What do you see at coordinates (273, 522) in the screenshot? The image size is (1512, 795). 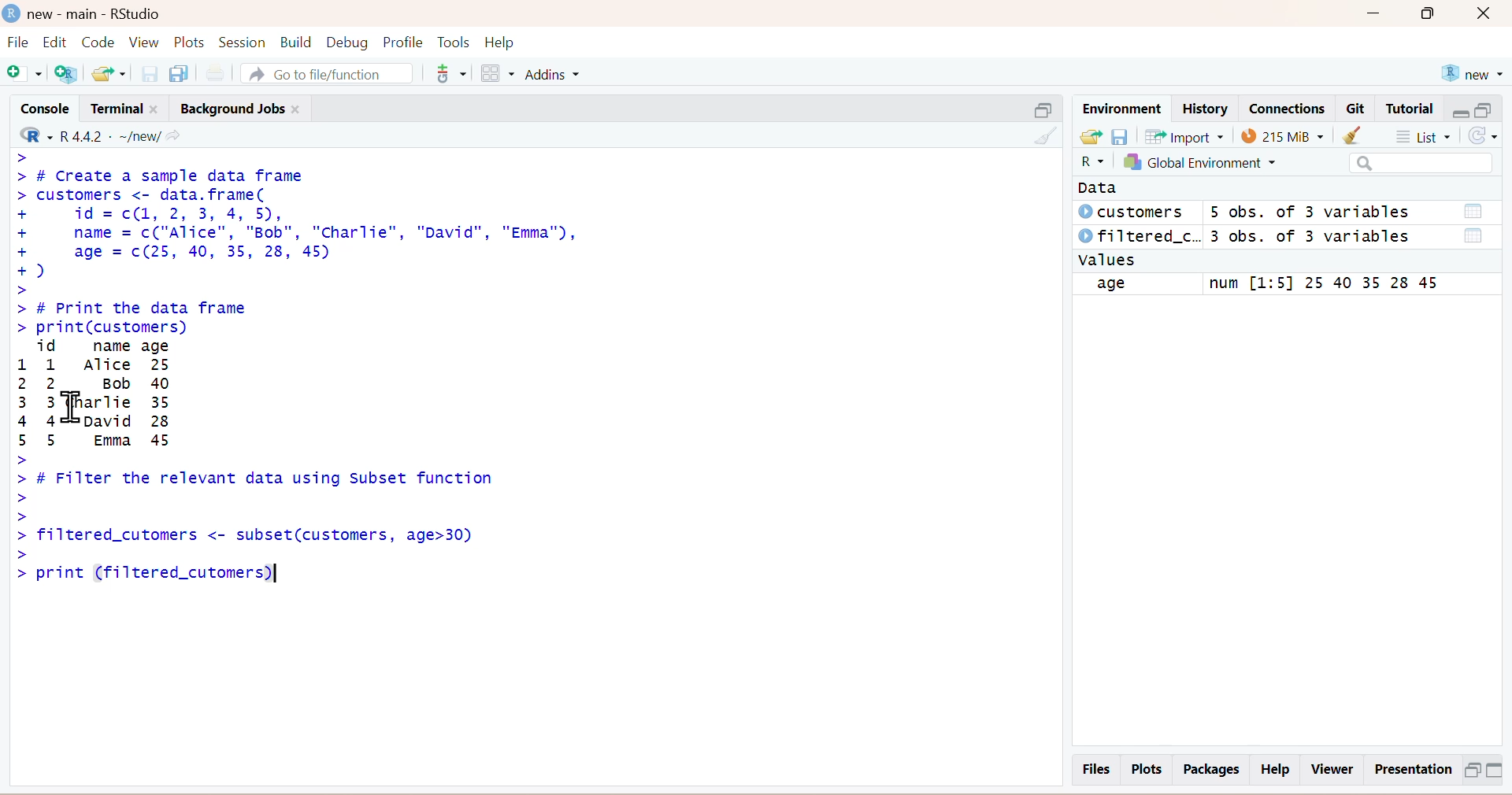 I see `~

> # Filter the relevant data using Subset function
>

>

> filtered_cutomers <- subset(customers, age>30)
>

> print (filtered_cutomers)|` at bounding box center [273, 522].